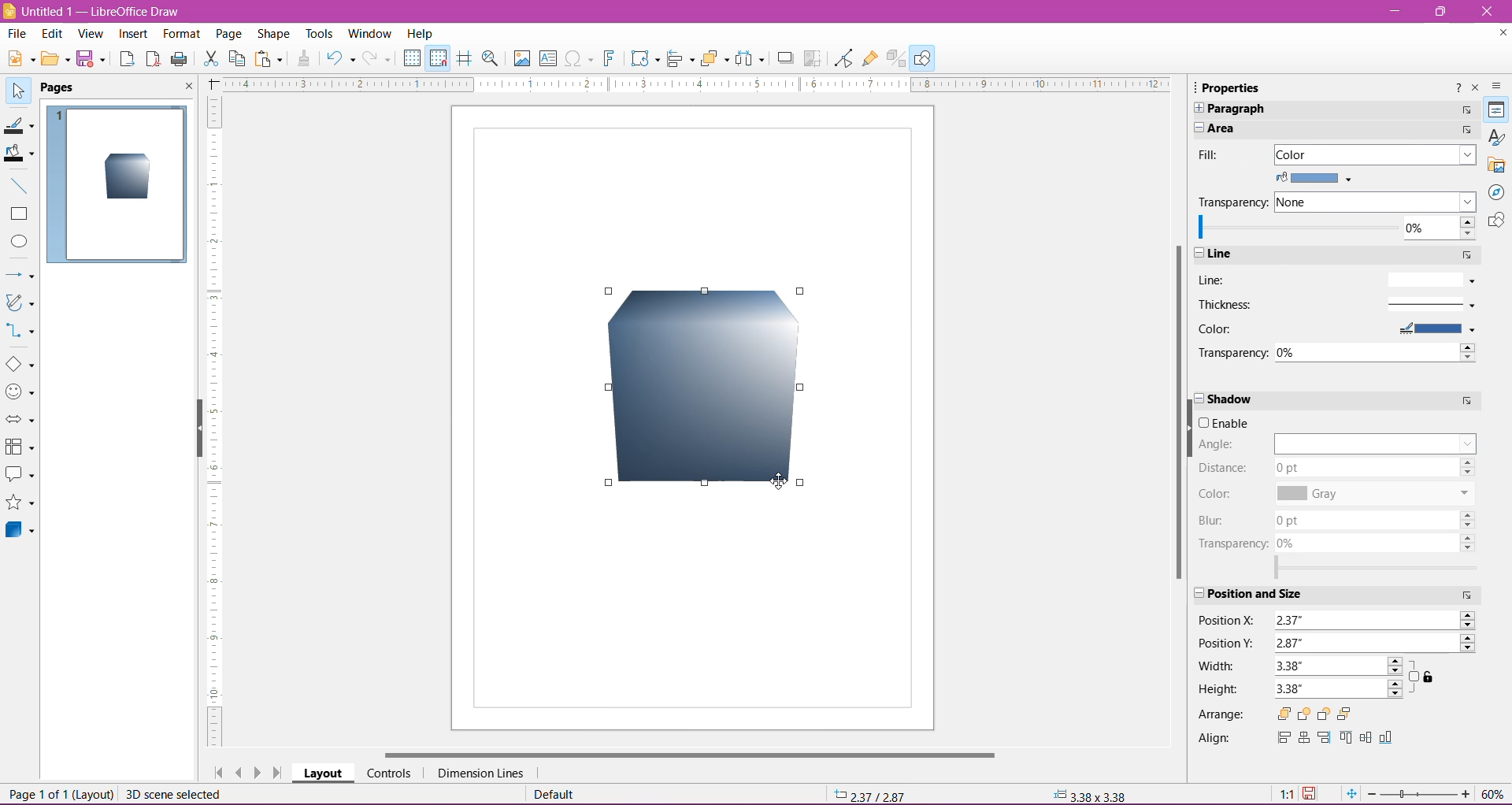  Describe the element at coordinates (184, 87) in the screenshot. I see `Close Pane` at that location.